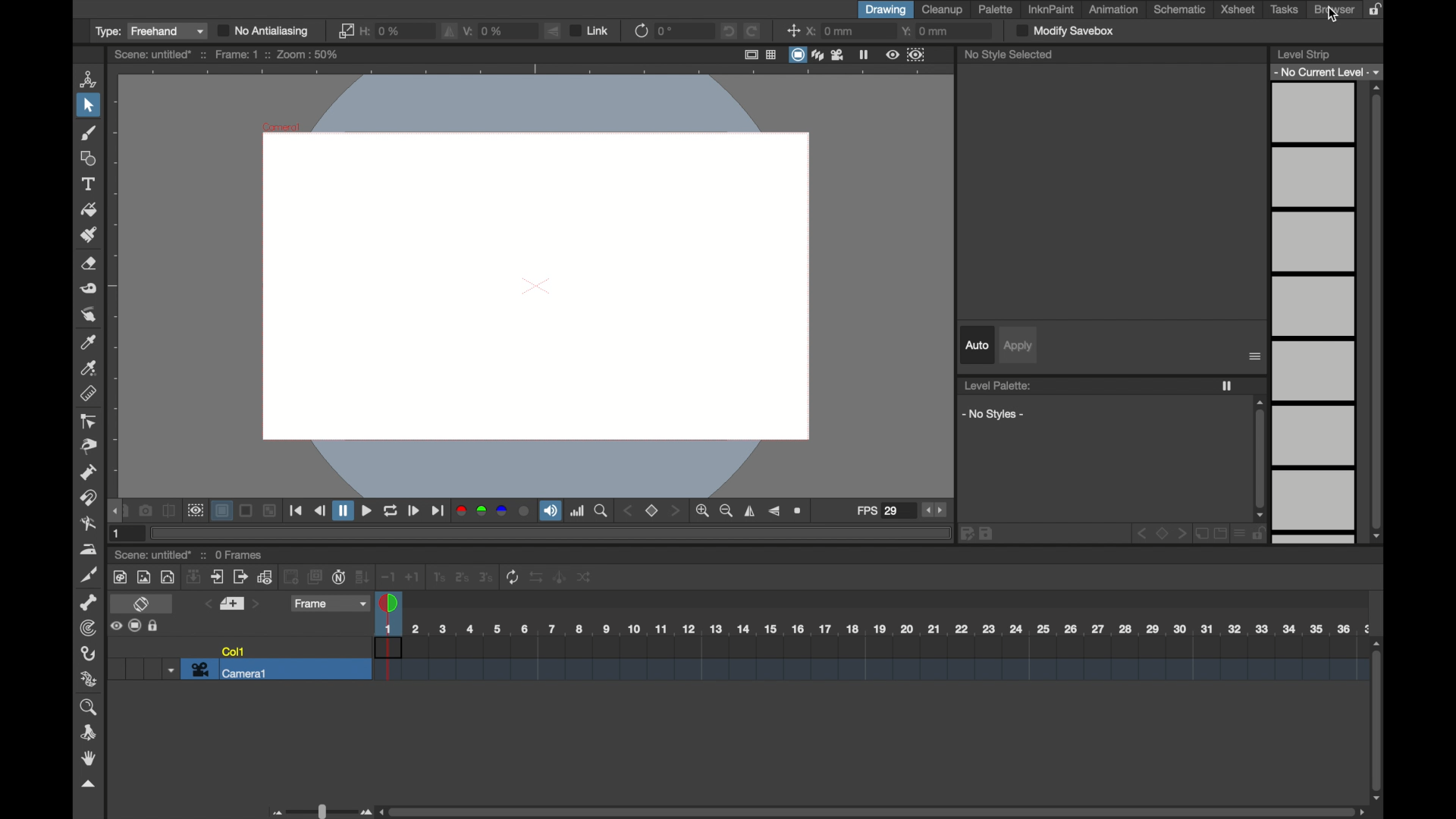  Describe the element at coordinates (414, 512) in the screenshot. I see `next frame` at that location.